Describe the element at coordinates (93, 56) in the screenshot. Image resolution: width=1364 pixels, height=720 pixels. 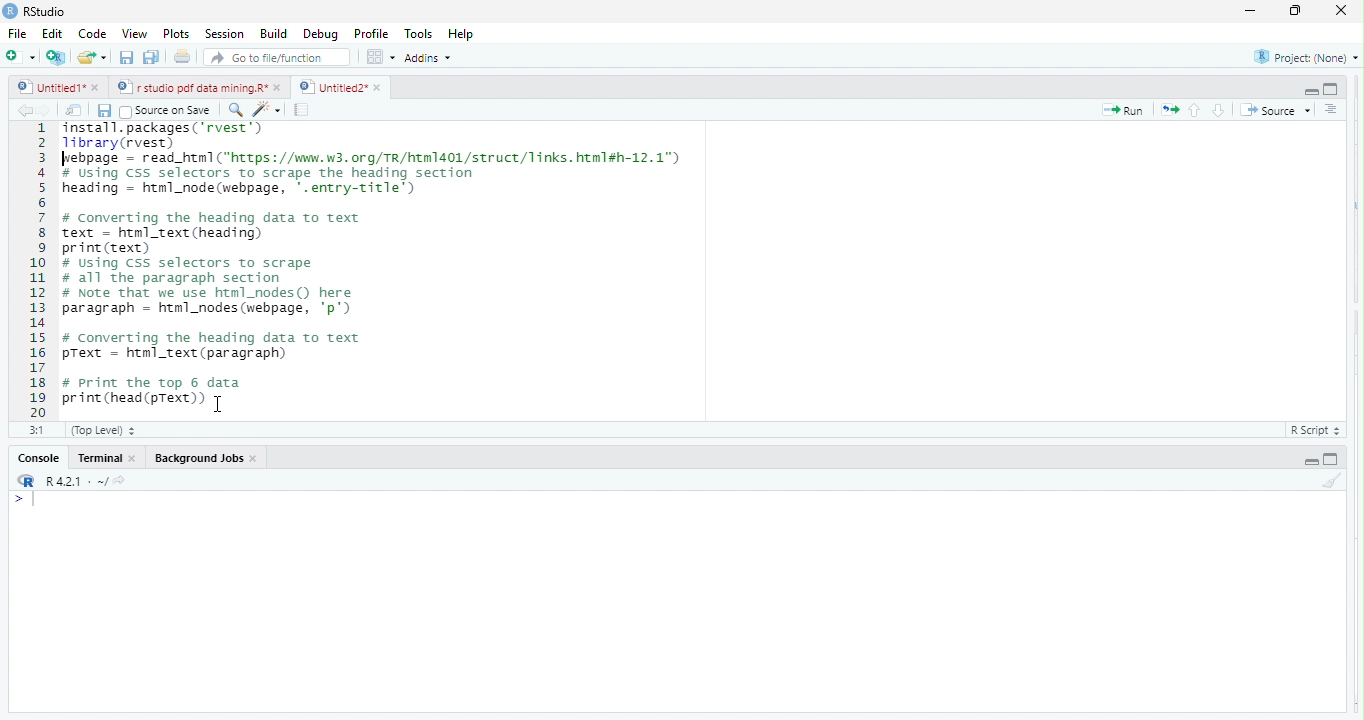
I see `open an existing file` at that location.